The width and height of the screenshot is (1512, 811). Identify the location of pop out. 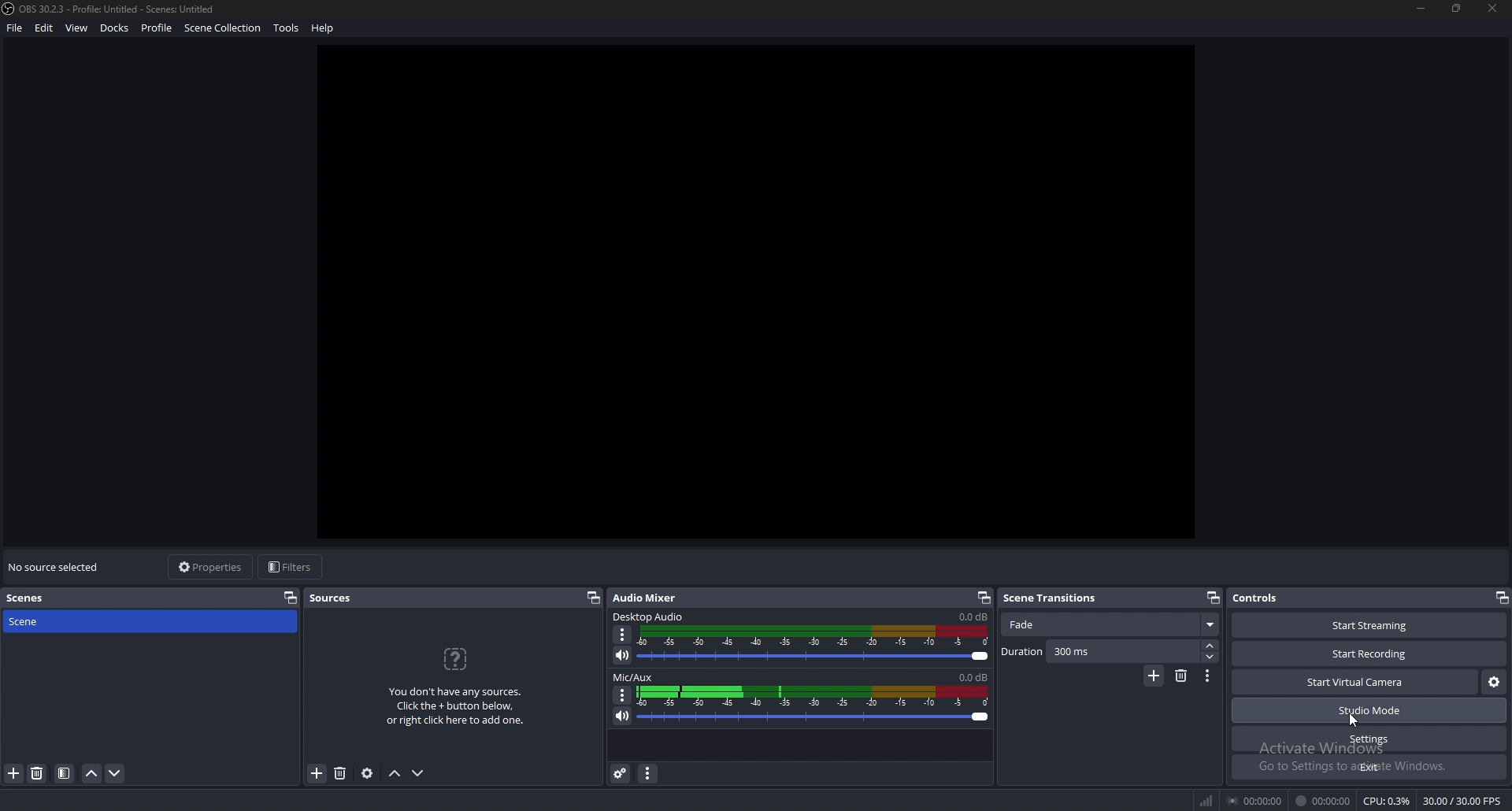
(1500, 597).